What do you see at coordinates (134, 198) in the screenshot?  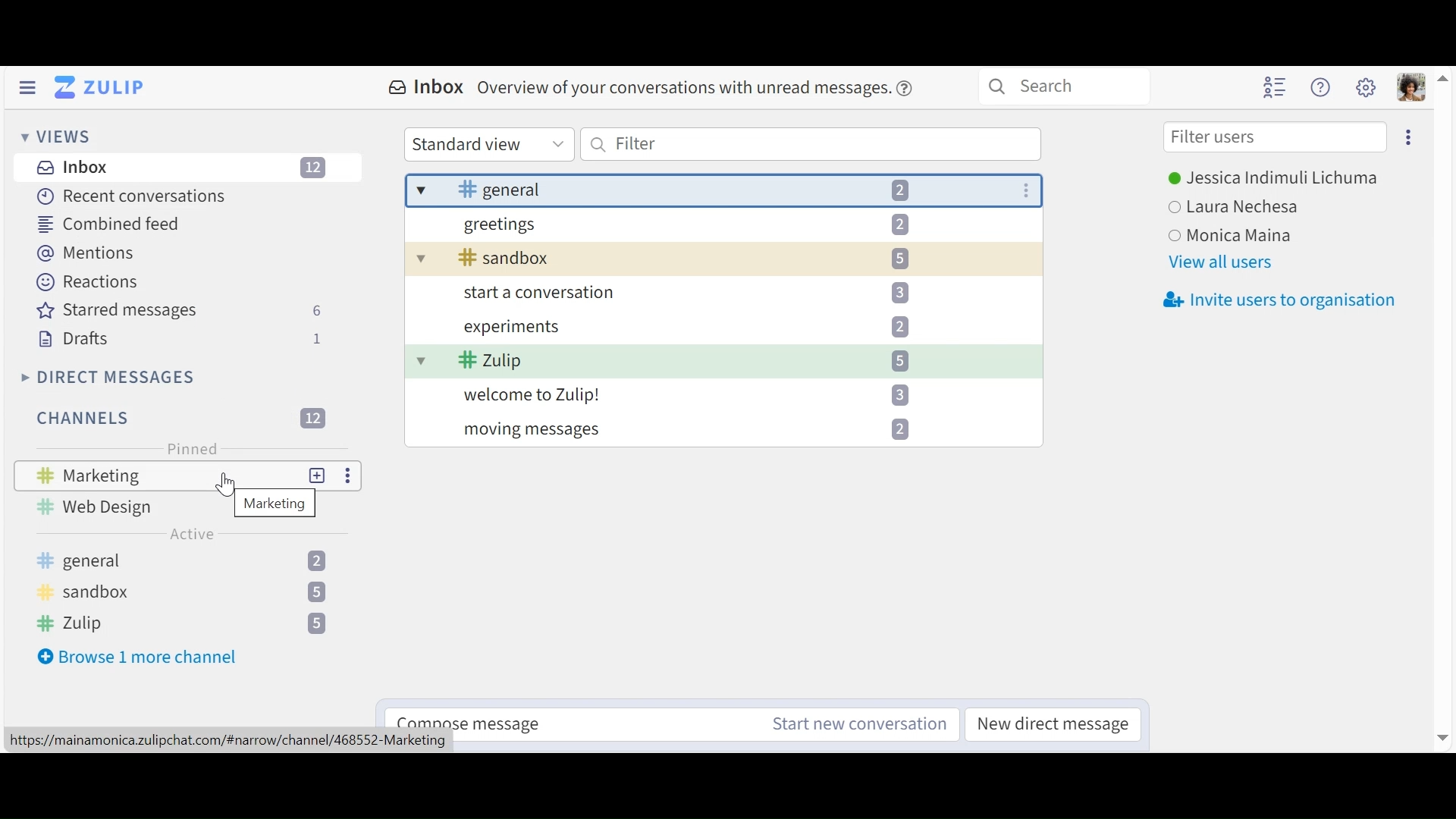 I see `Recent Conversation` at bounding box center [134, 198].